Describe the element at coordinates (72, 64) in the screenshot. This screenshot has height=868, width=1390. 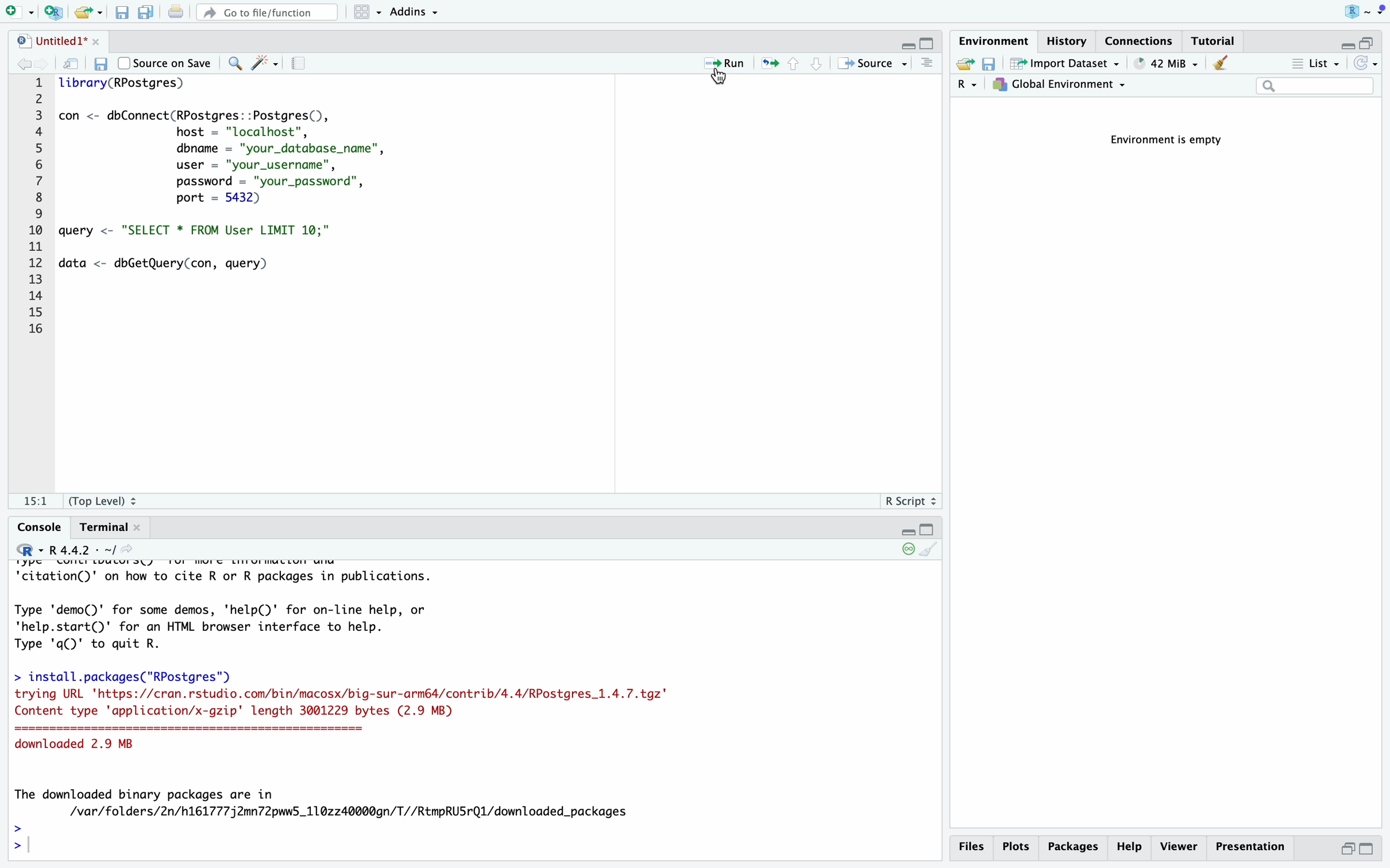
I see `show in new window` at that location.